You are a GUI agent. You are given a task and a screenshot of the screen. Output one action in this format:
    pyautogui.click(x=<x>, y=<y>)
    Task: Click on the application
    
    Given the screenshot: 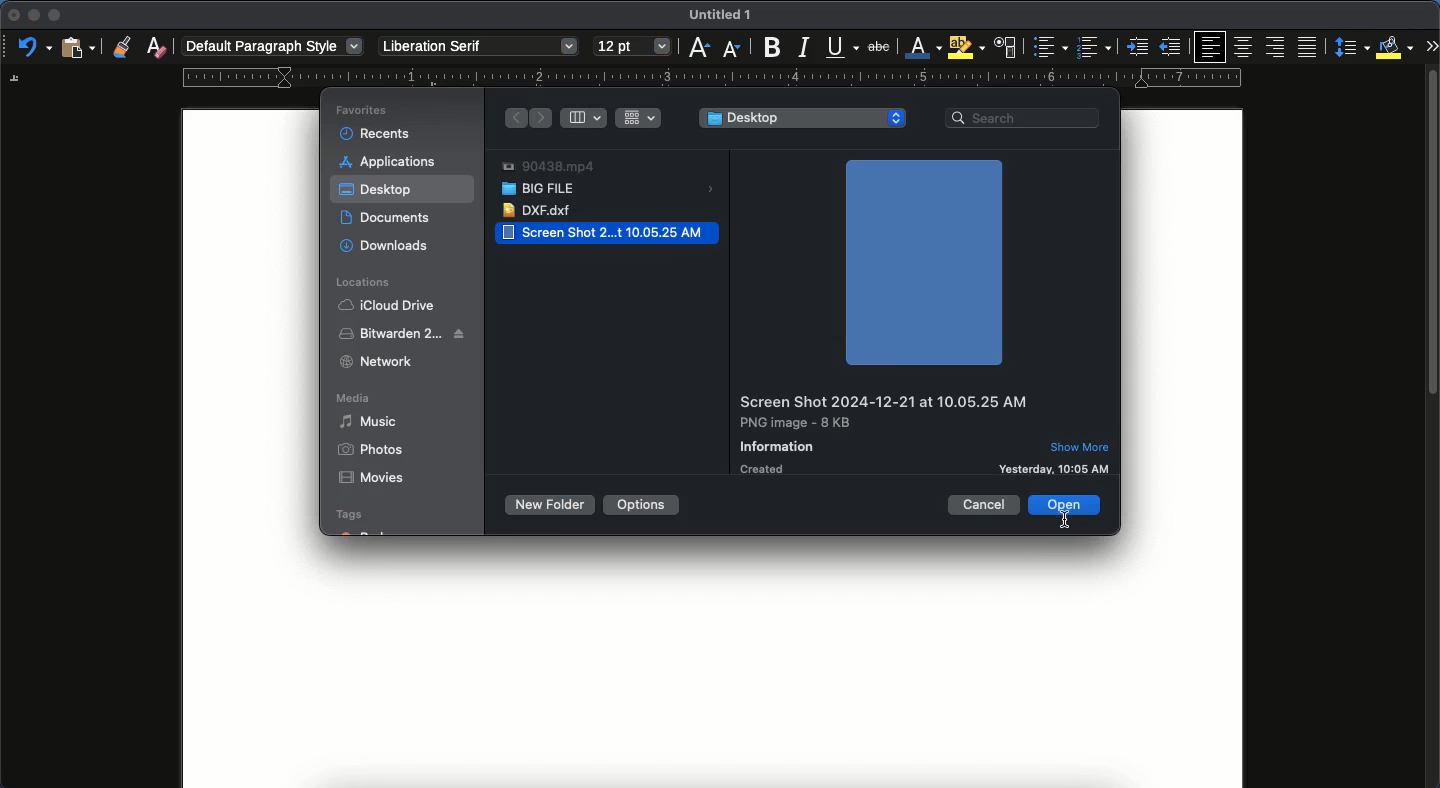 What is the action you would take?
    pyautogui.click(x=393, y=161)
    